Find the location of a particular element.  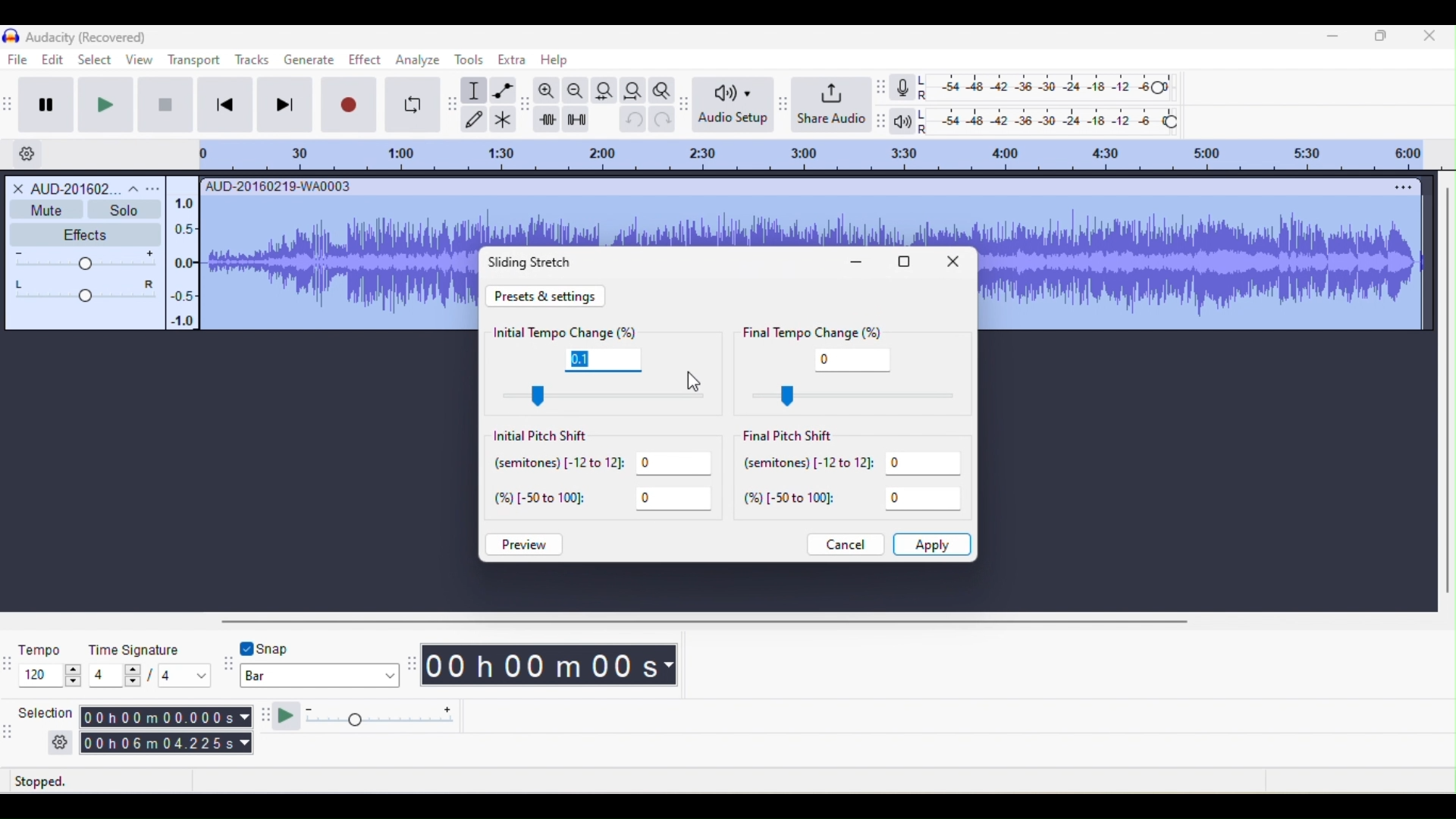

Minimize/Maximize is located at coordinates (1382, 39).